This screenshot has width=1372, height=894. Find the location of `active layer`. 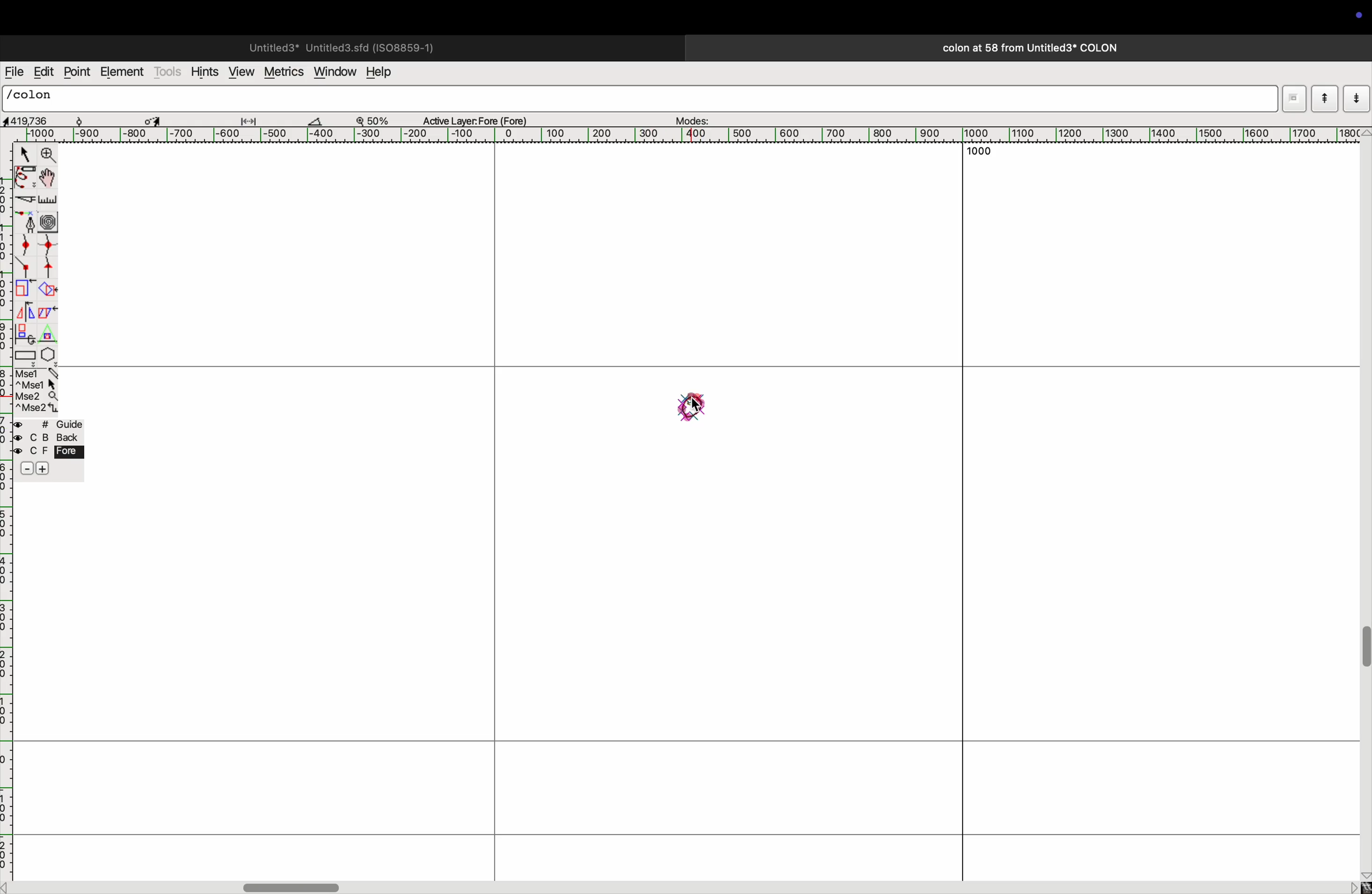

active layer is located at coordinates (480, 118).